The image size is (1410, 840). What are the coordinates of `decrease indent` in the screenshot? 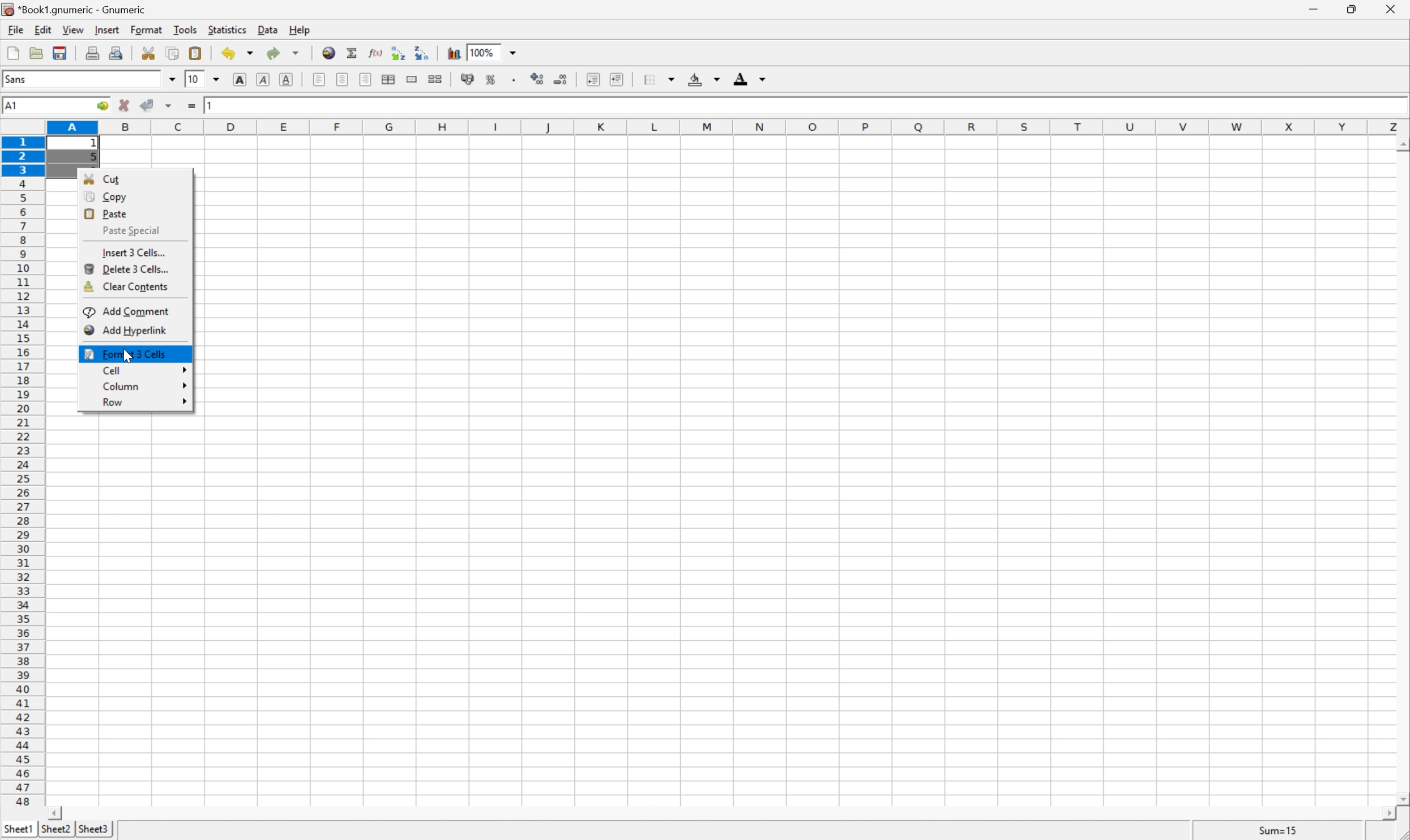 It's located at (594, 79).